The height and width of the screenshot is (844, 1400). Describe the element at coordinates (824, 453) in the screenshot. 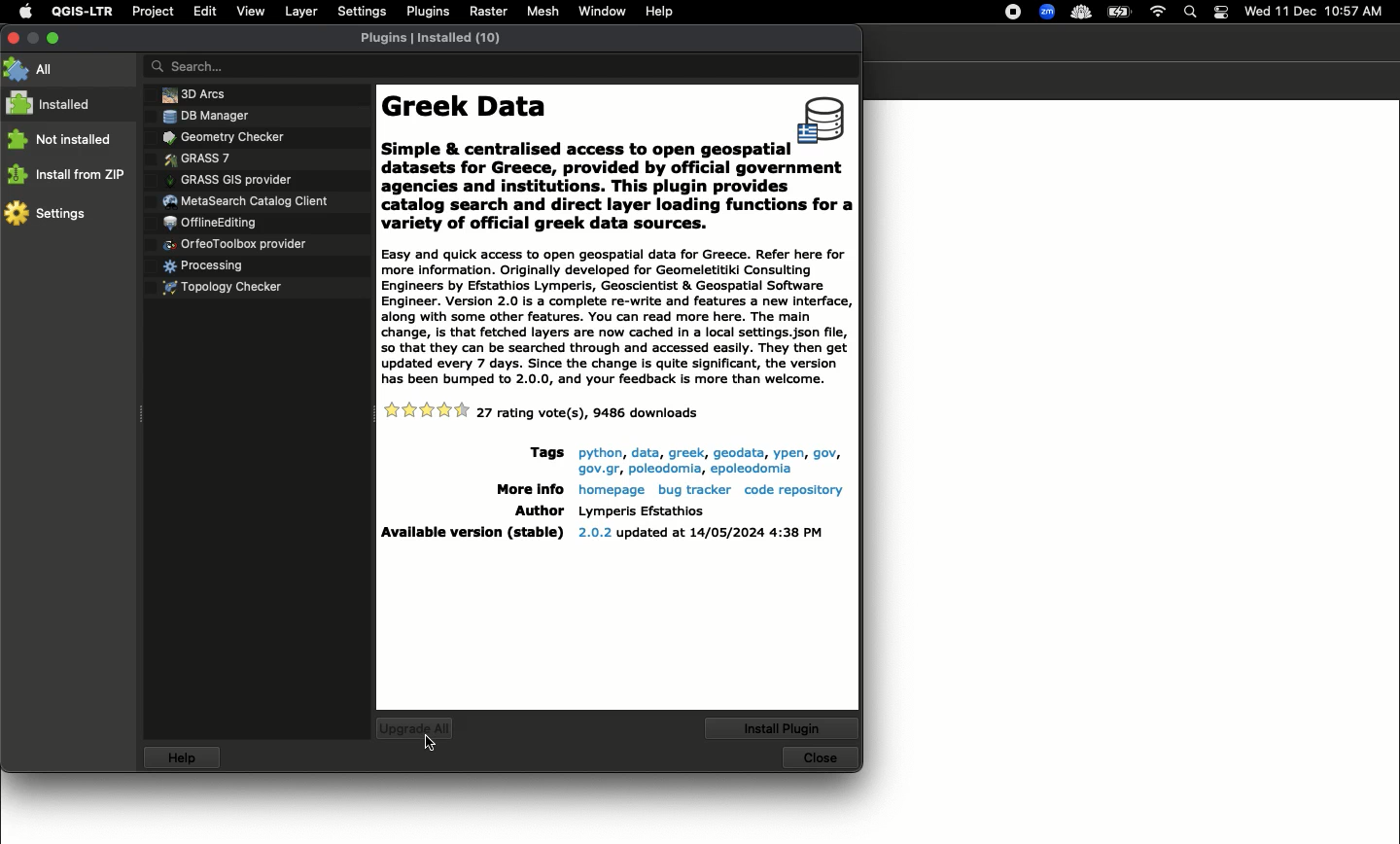

I see `gov` at that location.